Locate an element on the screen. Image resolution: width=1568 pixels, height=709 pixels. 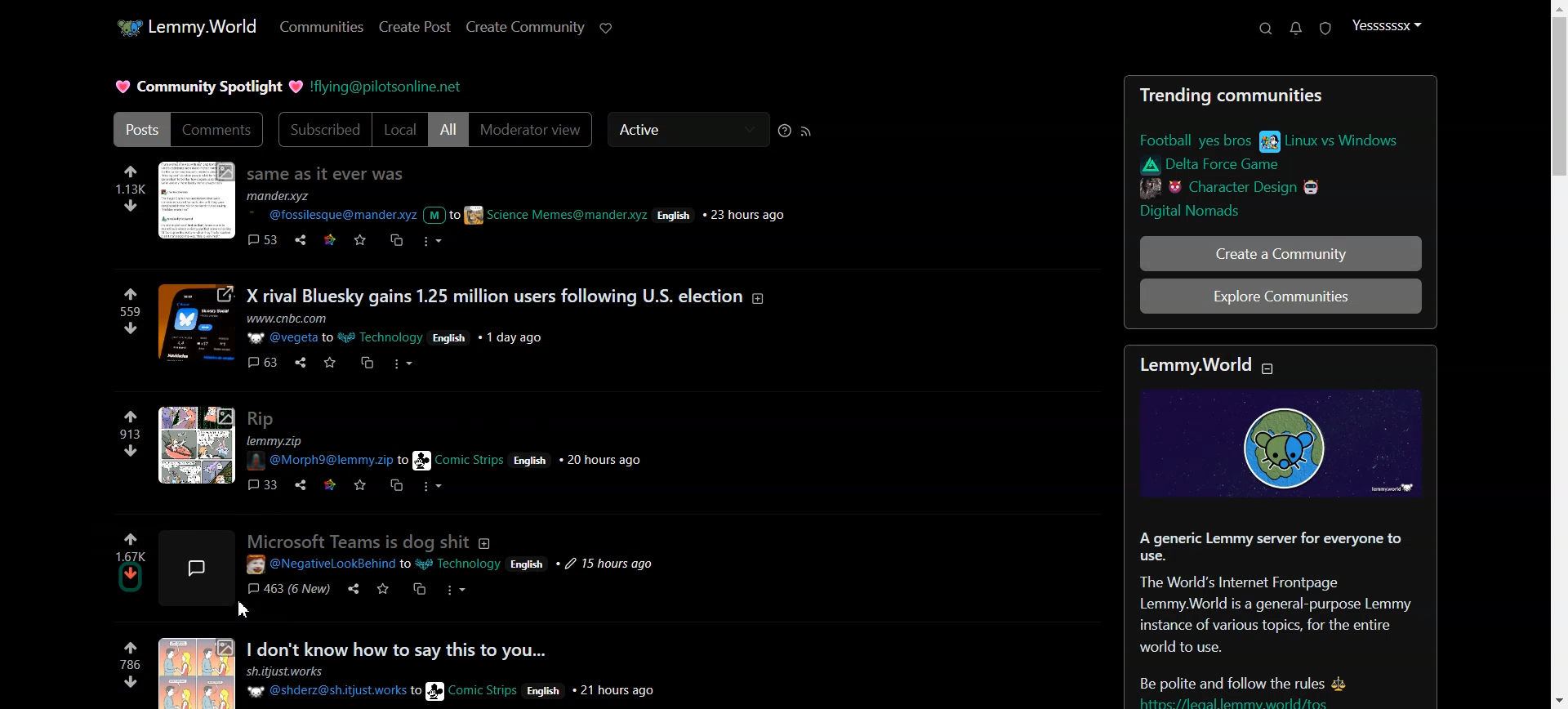
comments is located at coordinates (264, 484).